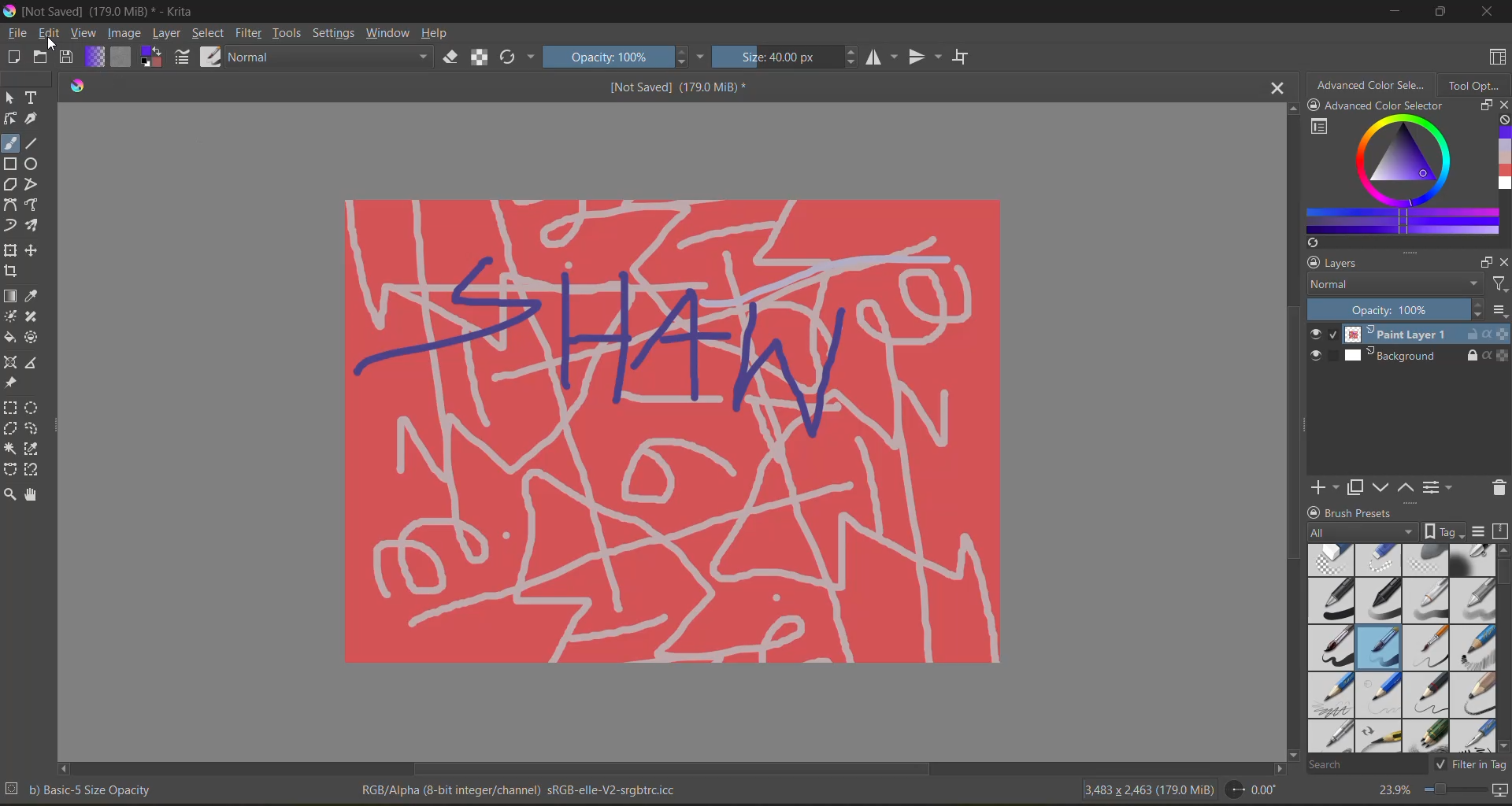 This screenshot has width=1512, height=806. What do you see at coordinates (1388, 106) in the screenshot?
I see `Advanced color selector` at bounding box center [1388, 106].